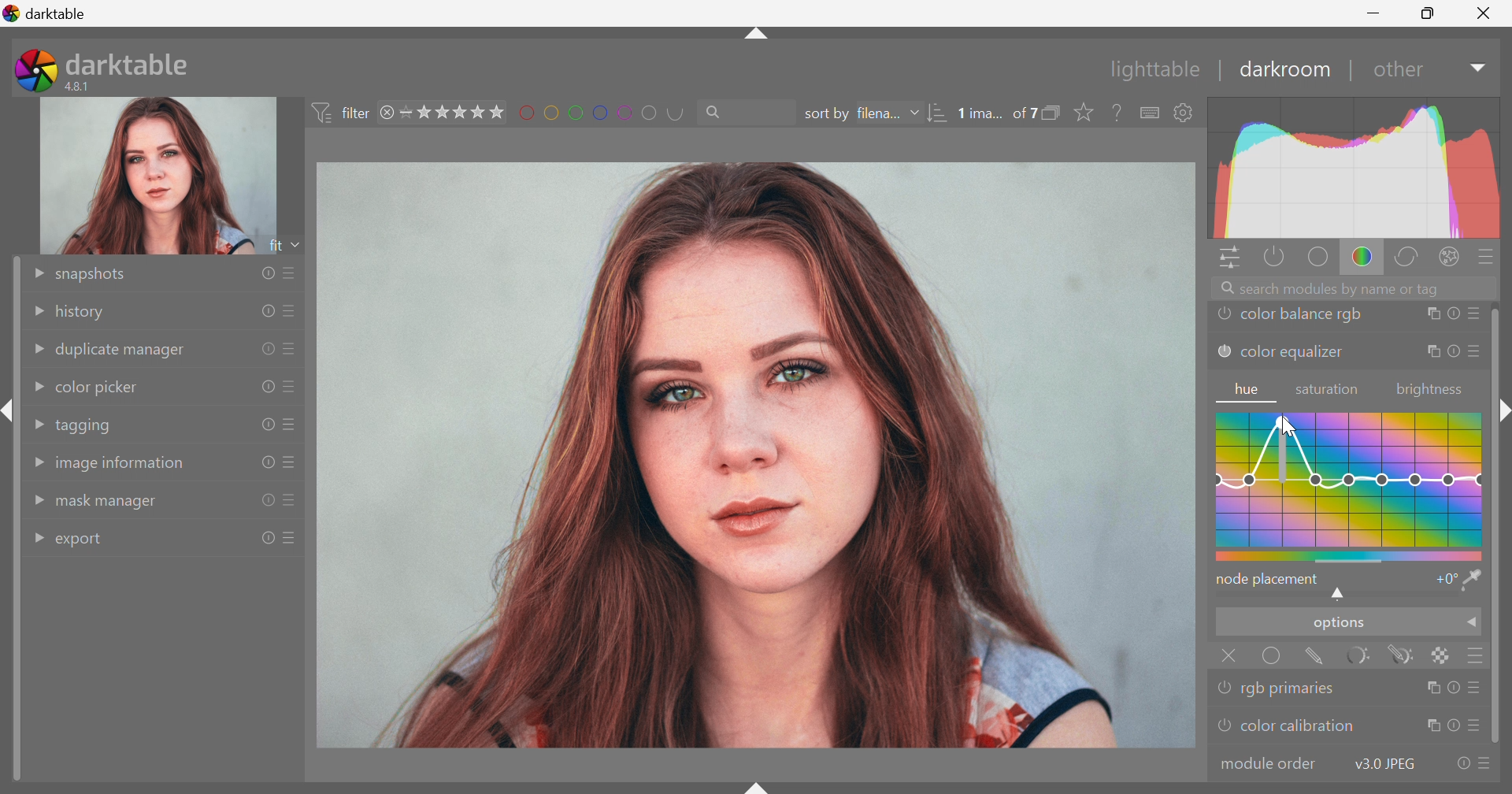  I want to click on mask manager, so click(109, 504).